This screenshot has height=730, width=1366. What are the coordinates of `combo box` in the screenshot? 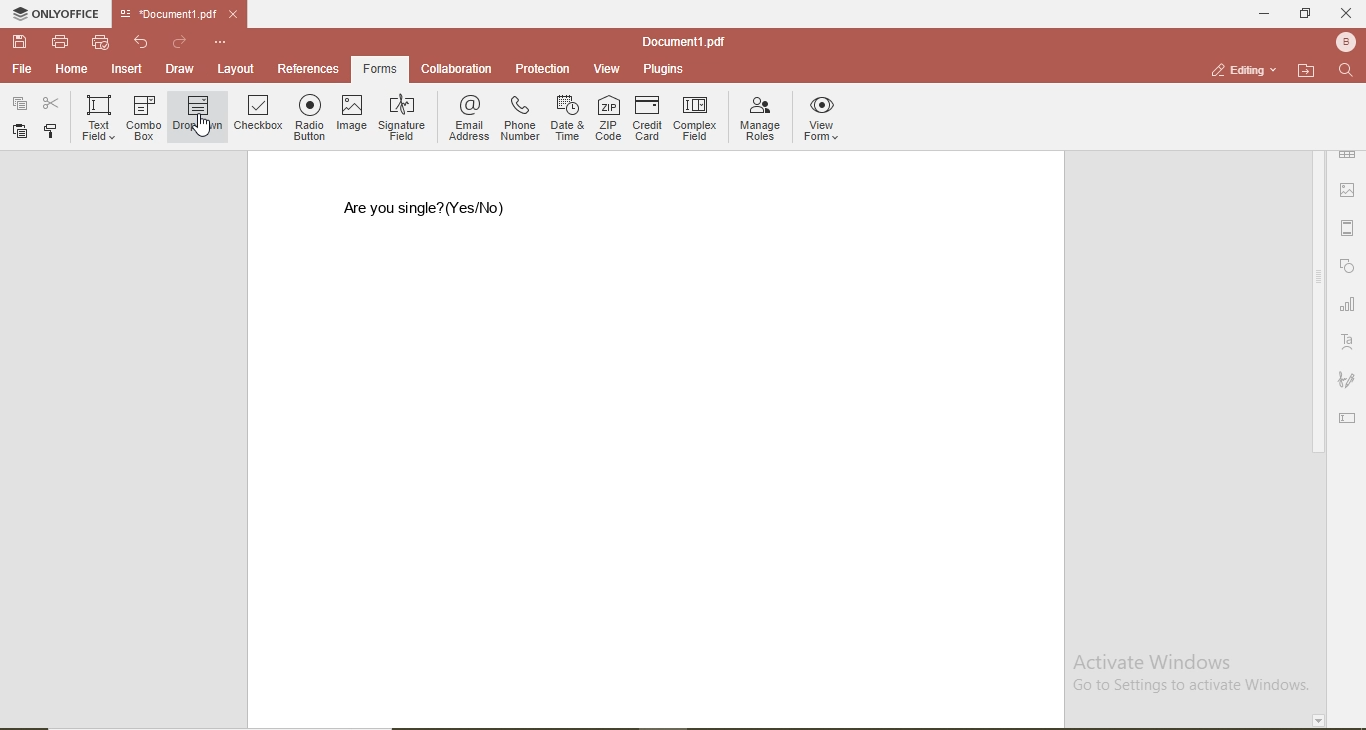 It's located at (143, 116).